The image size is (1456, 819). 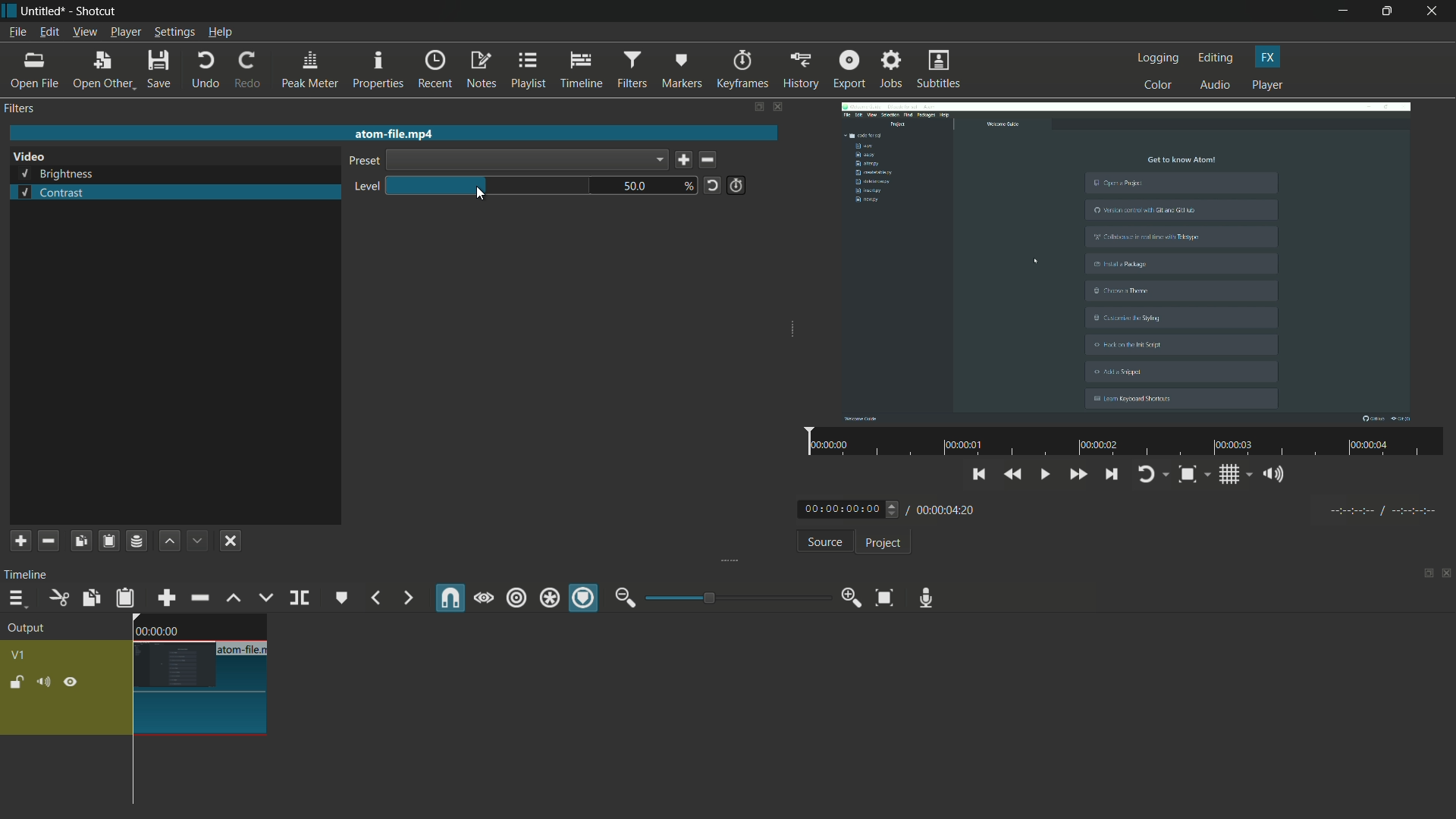 What do you see at coordinates (780, 108) in the screenshot?
I see `close filter pane` at bounding box center [780, 108].